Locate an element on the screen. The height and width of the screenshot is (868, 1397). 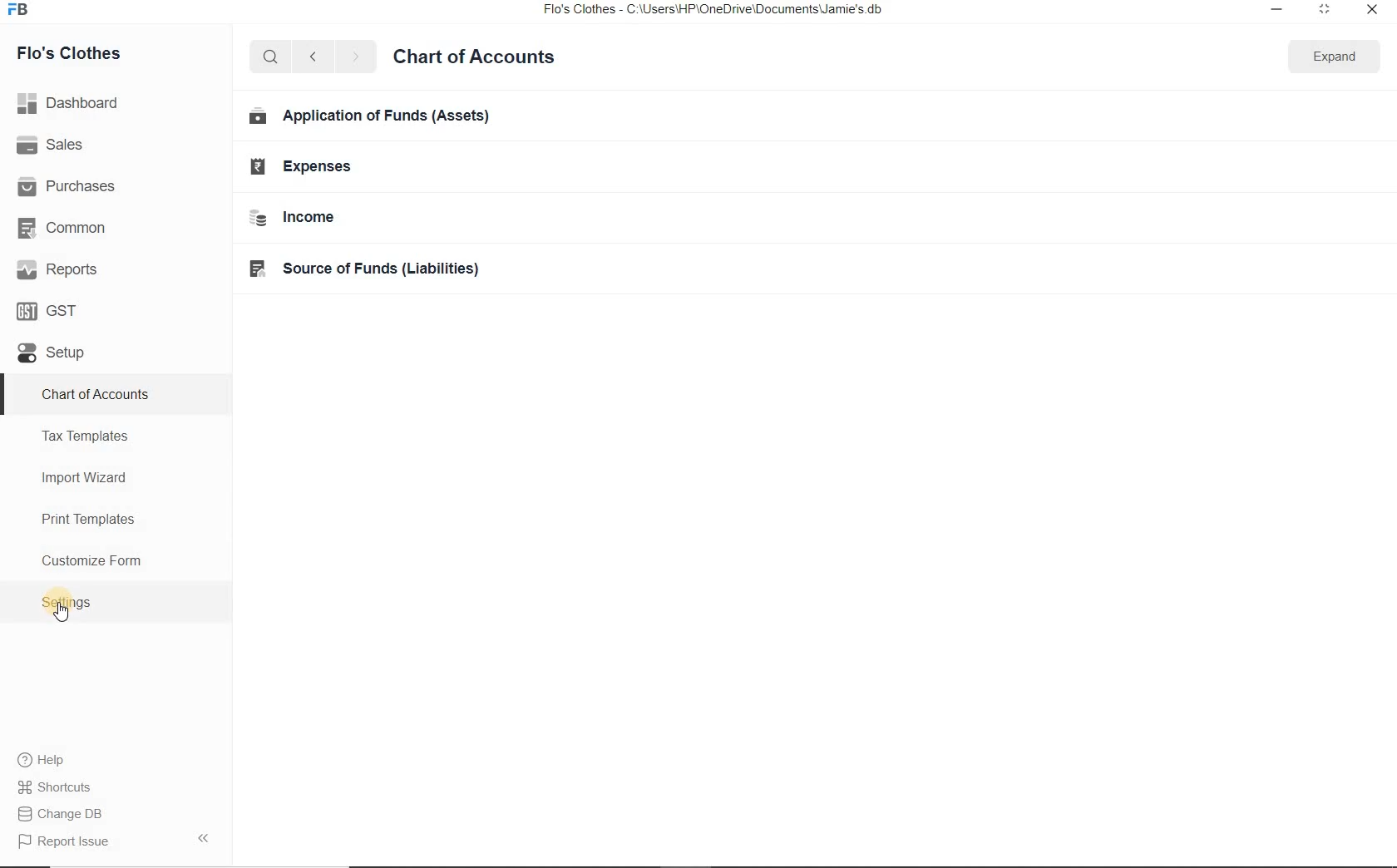
Report Issue is located at coordinates (68, 816).